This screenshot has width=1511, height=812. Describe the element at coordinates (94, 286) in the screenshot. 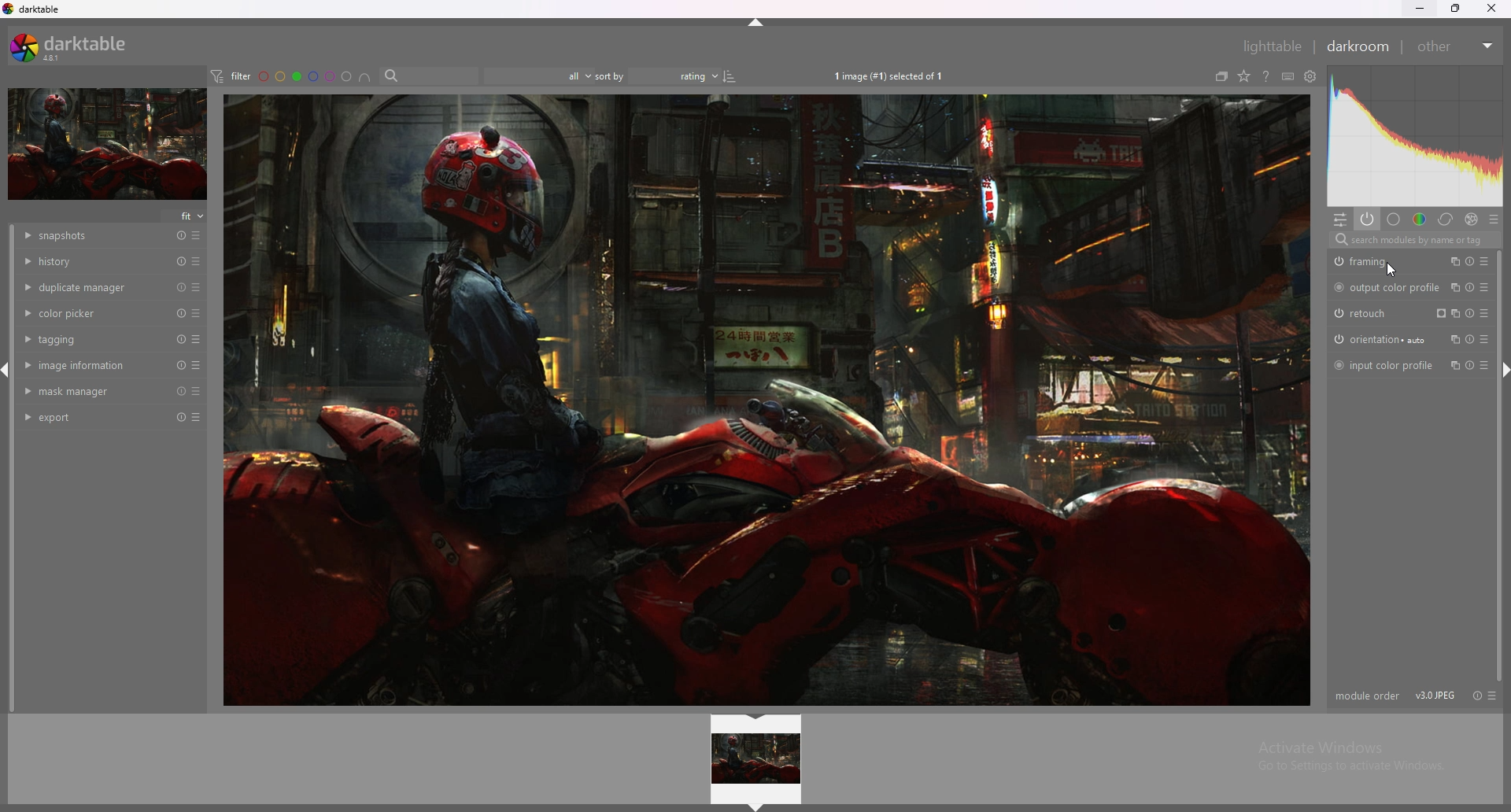

I see `duplicate manager` at that location.